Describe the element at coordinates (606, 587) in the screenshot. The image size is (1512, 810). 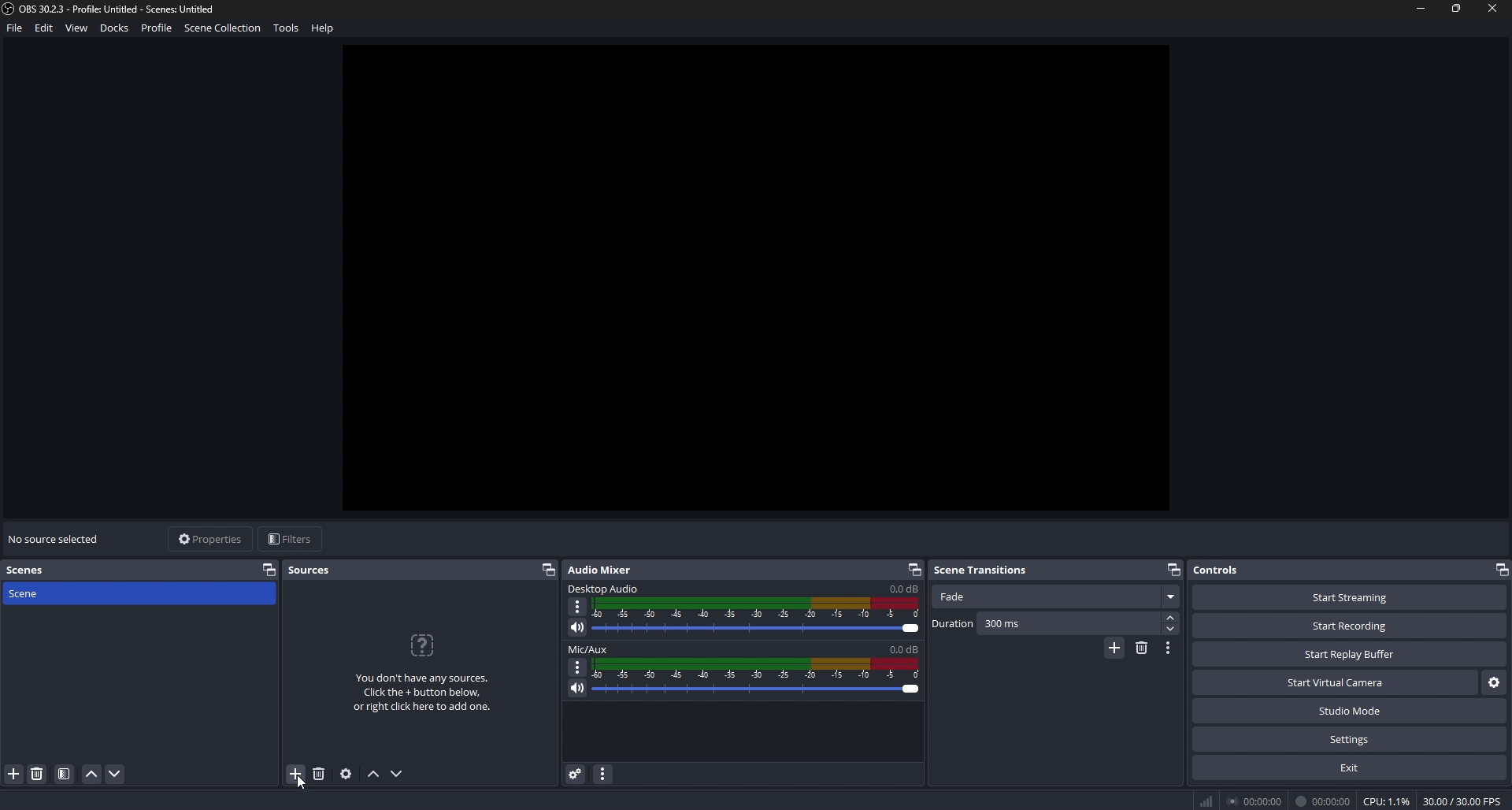
I see `desktop audio` at that location.